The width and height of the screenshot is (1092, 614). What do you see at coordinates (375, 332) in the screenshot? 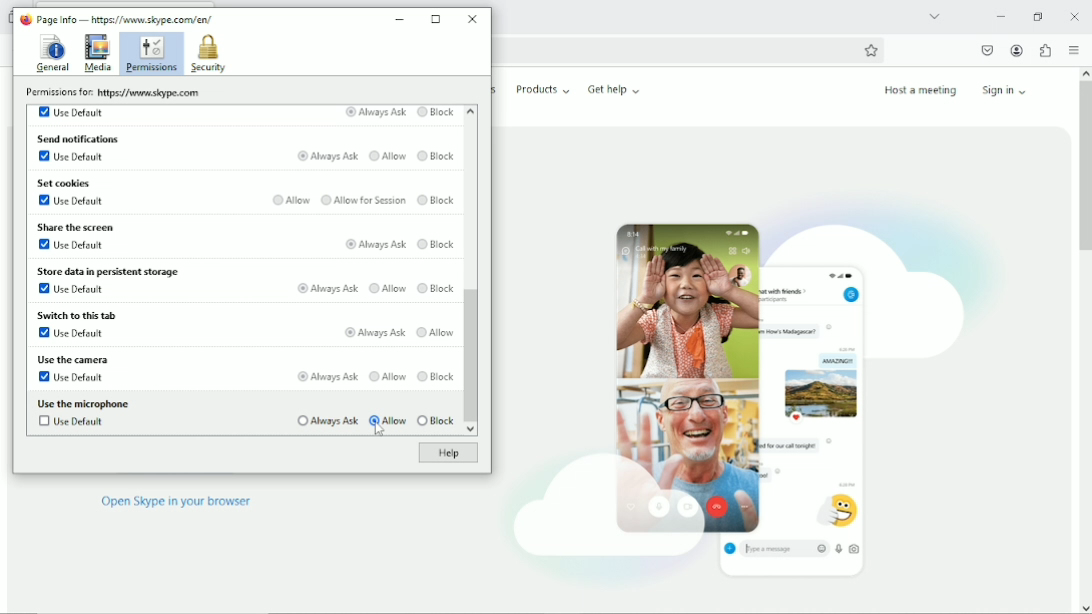
I see `Always ask` at bounding box center [375, 332].